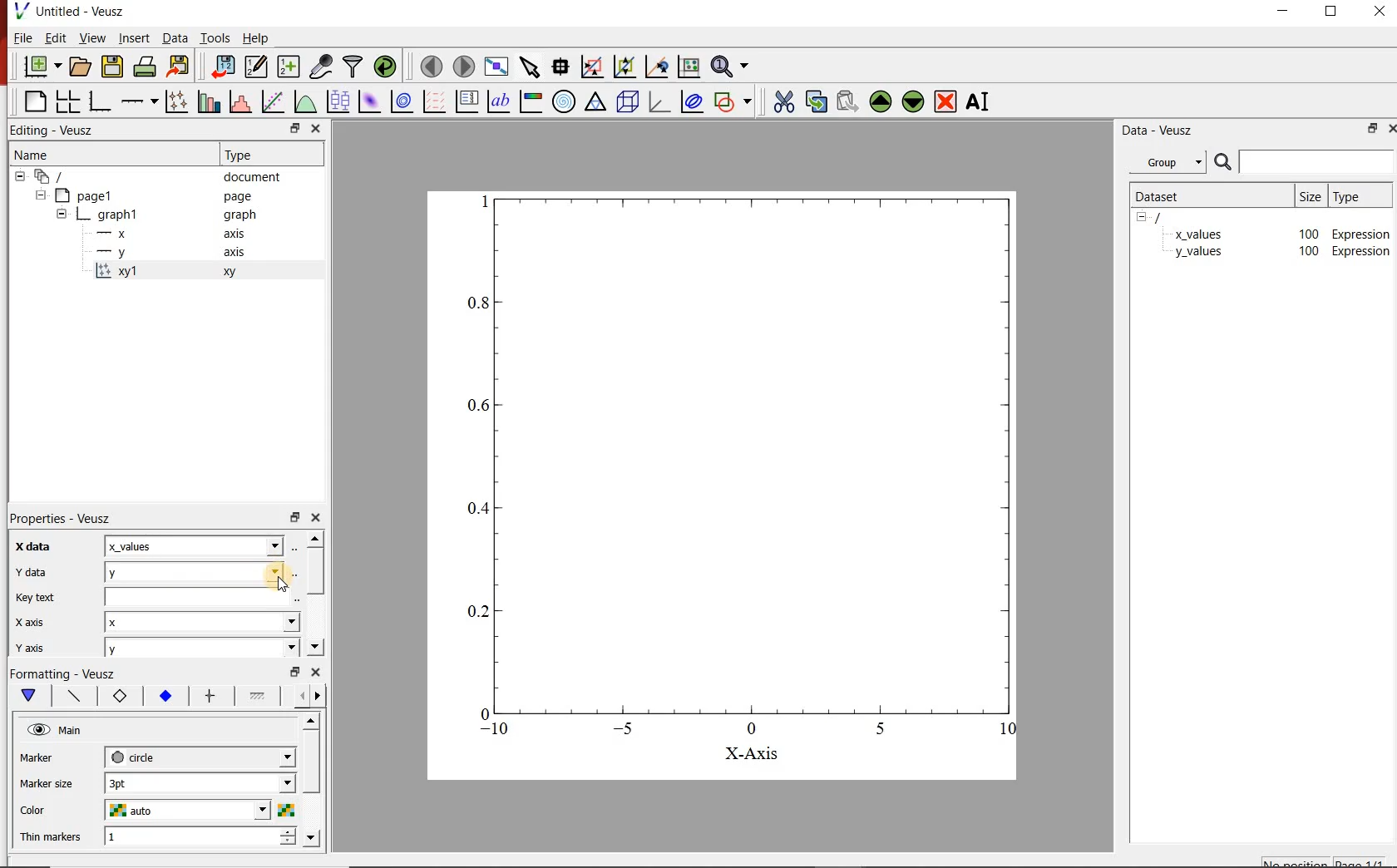 Image resolution: width=1397 pixels, height=868 pixels. Describe the element at coordinates (733, 102) in the screenshot. I see `add shape` at that location.